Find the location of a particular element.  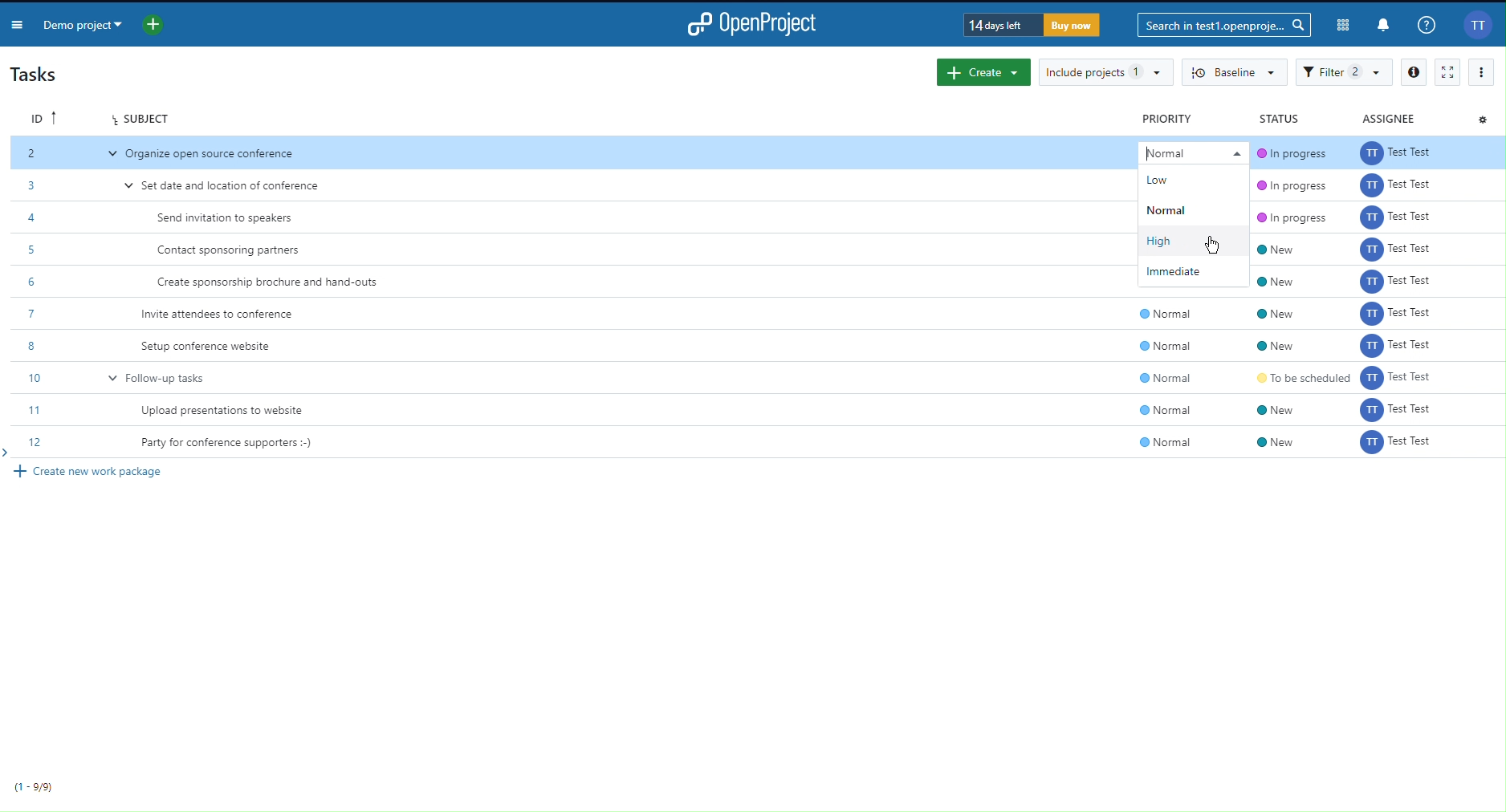

Settings is located at coordinates (1482, 119).